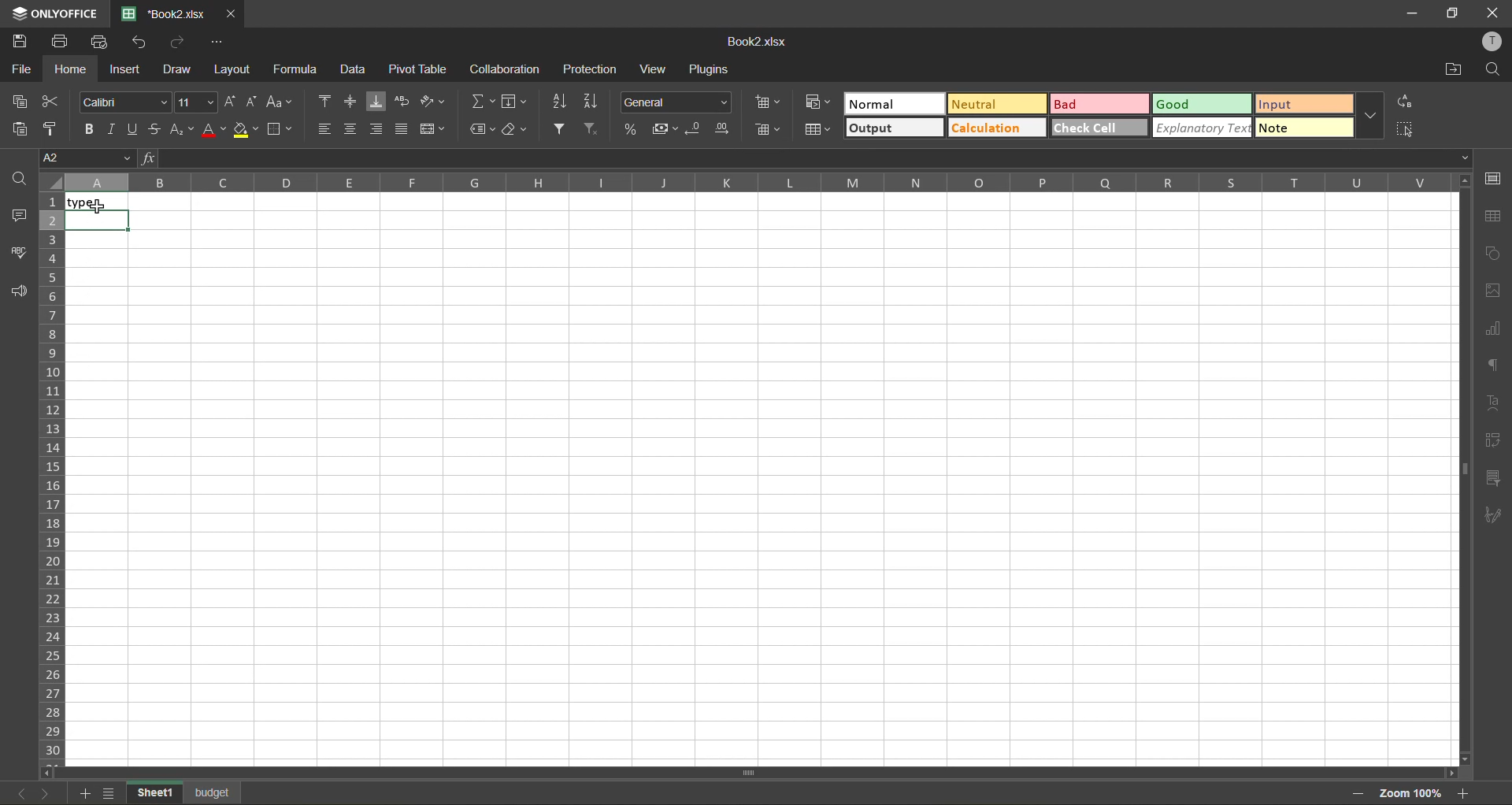  What do you see at coordinates (353, 130) in the screenshot?
I see `align center` at bounding box center [353, 130].